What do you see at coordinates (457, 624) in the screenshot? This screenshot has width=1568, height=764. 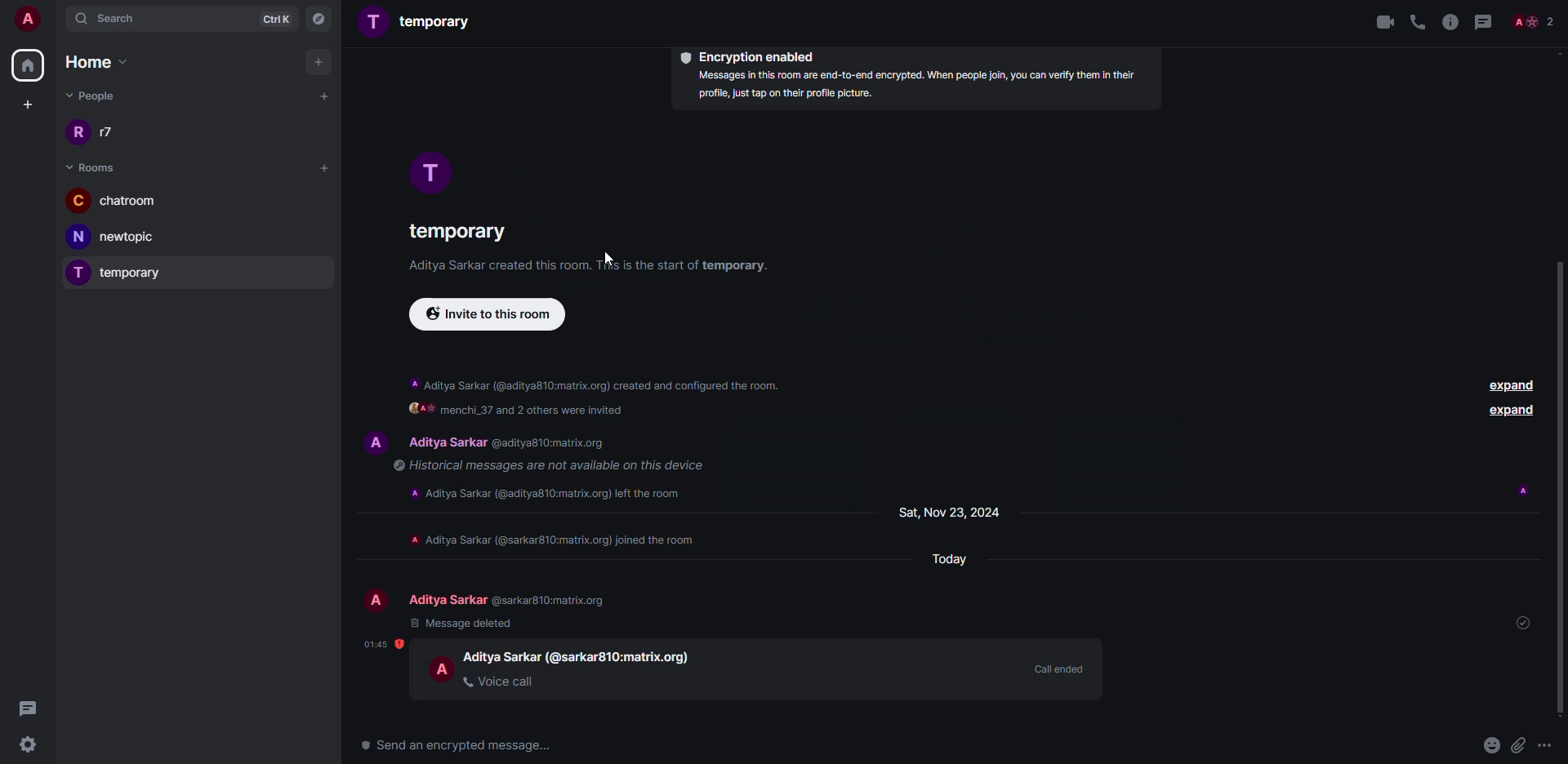 I see `message deleted` at bounding box center [457, 624].